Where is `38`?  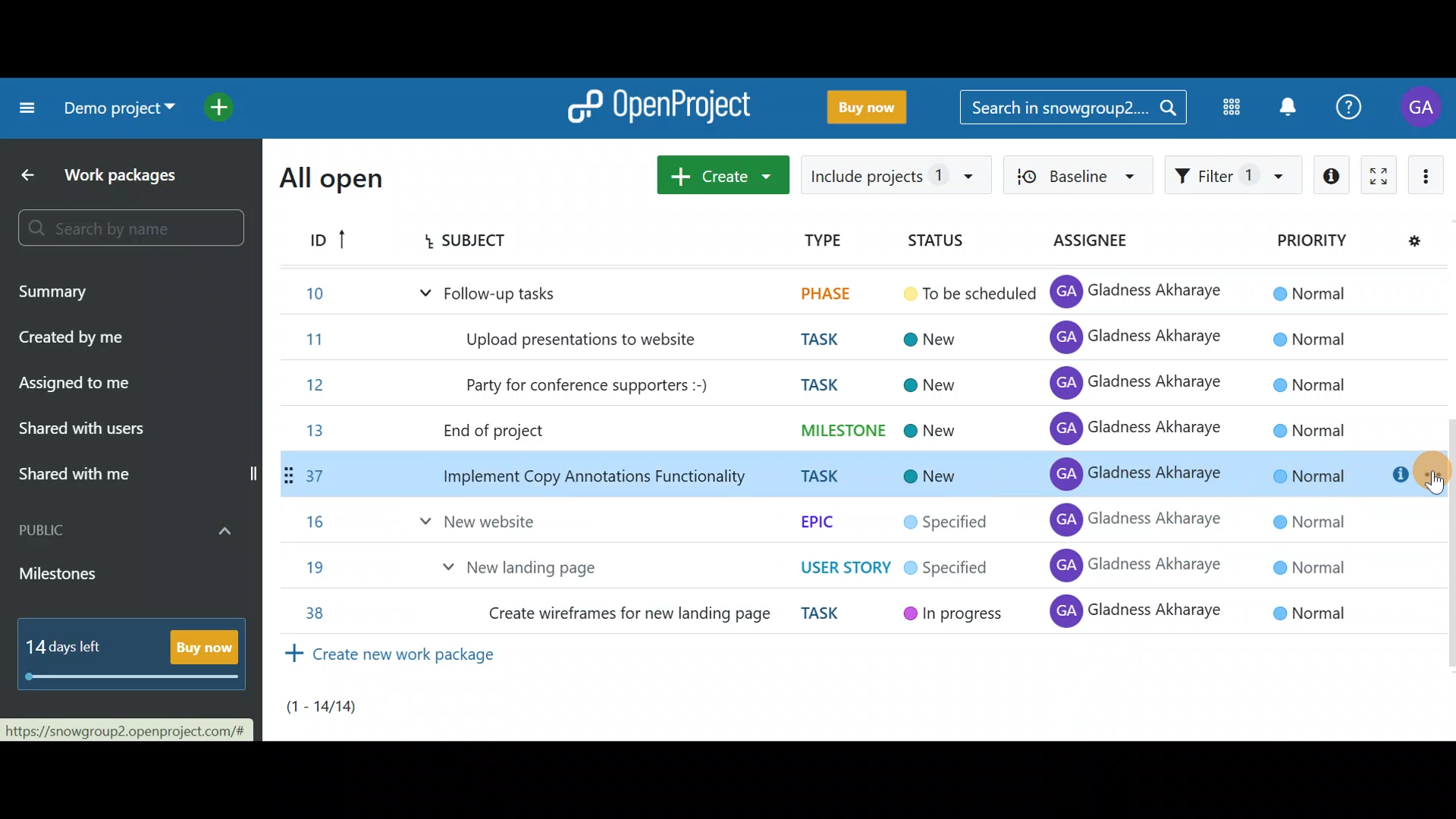 38 is located at coordinates (309, 613).